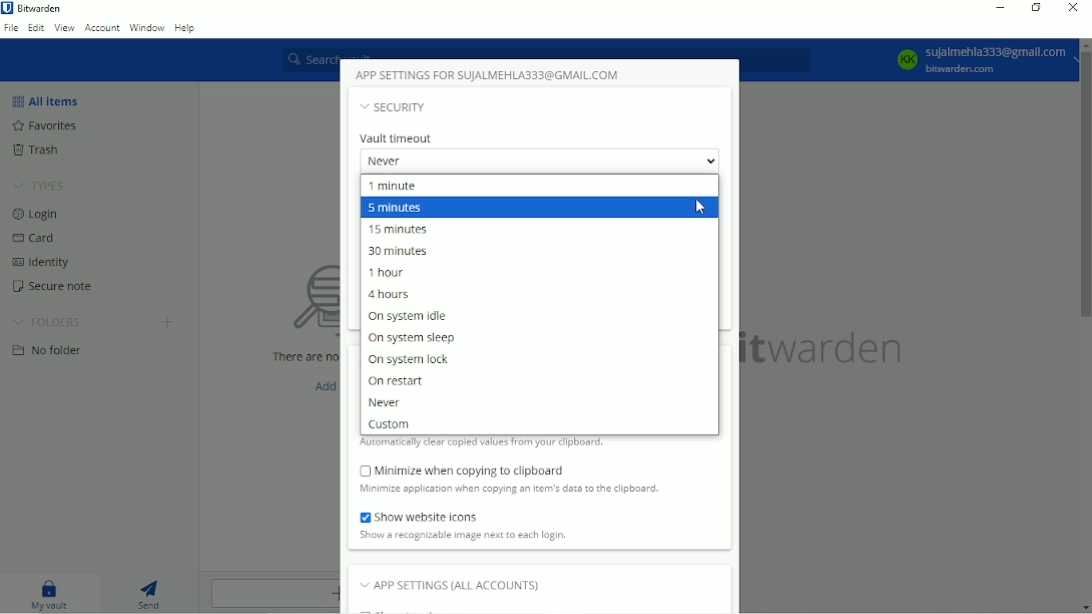  I want to click on Never, so click(384, 403).